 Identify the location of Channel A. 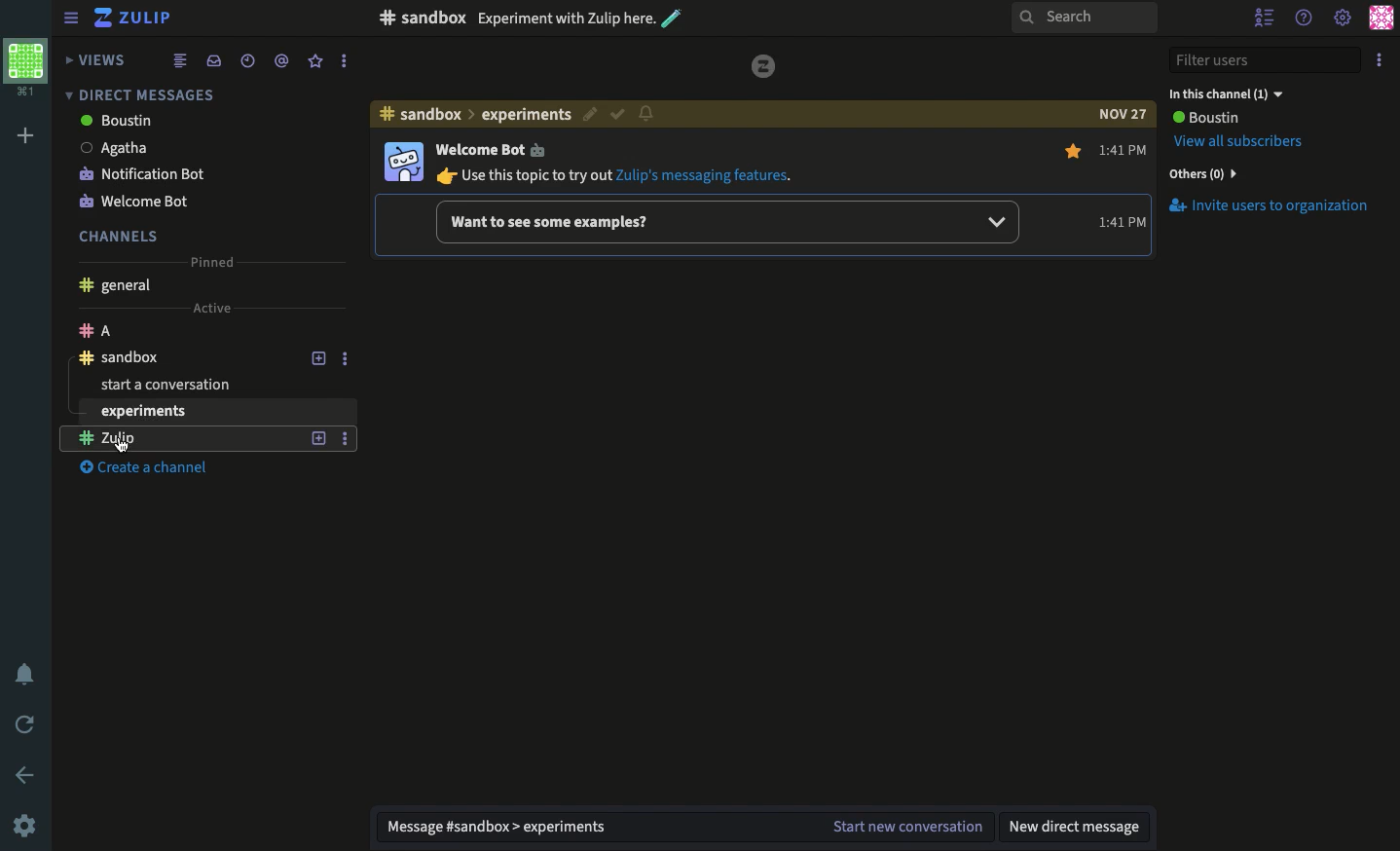
(183, 330).